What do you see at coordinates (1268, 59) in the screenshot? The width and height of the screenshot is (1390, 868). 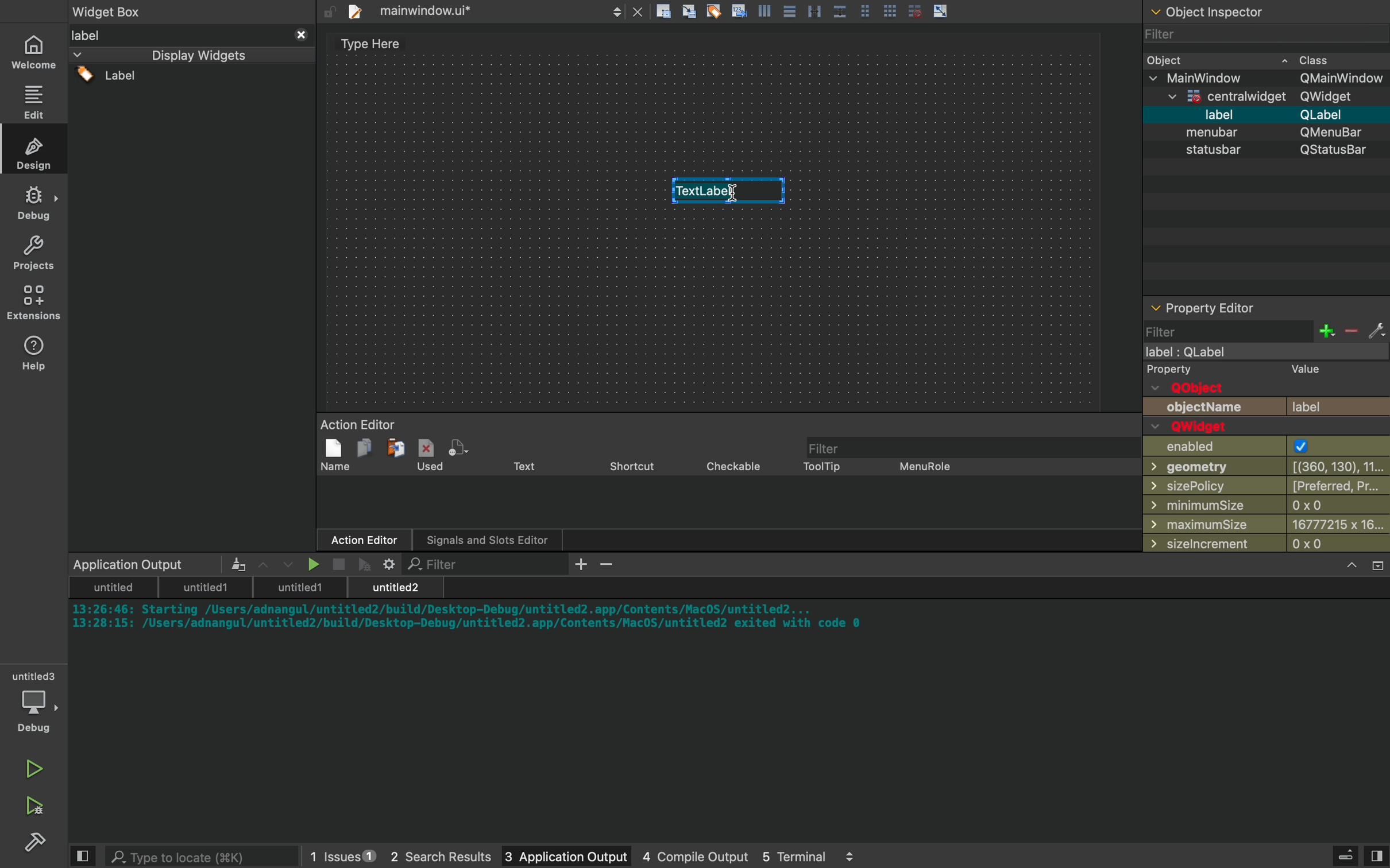 I see `widget class` at bounding box center [1268, 59].